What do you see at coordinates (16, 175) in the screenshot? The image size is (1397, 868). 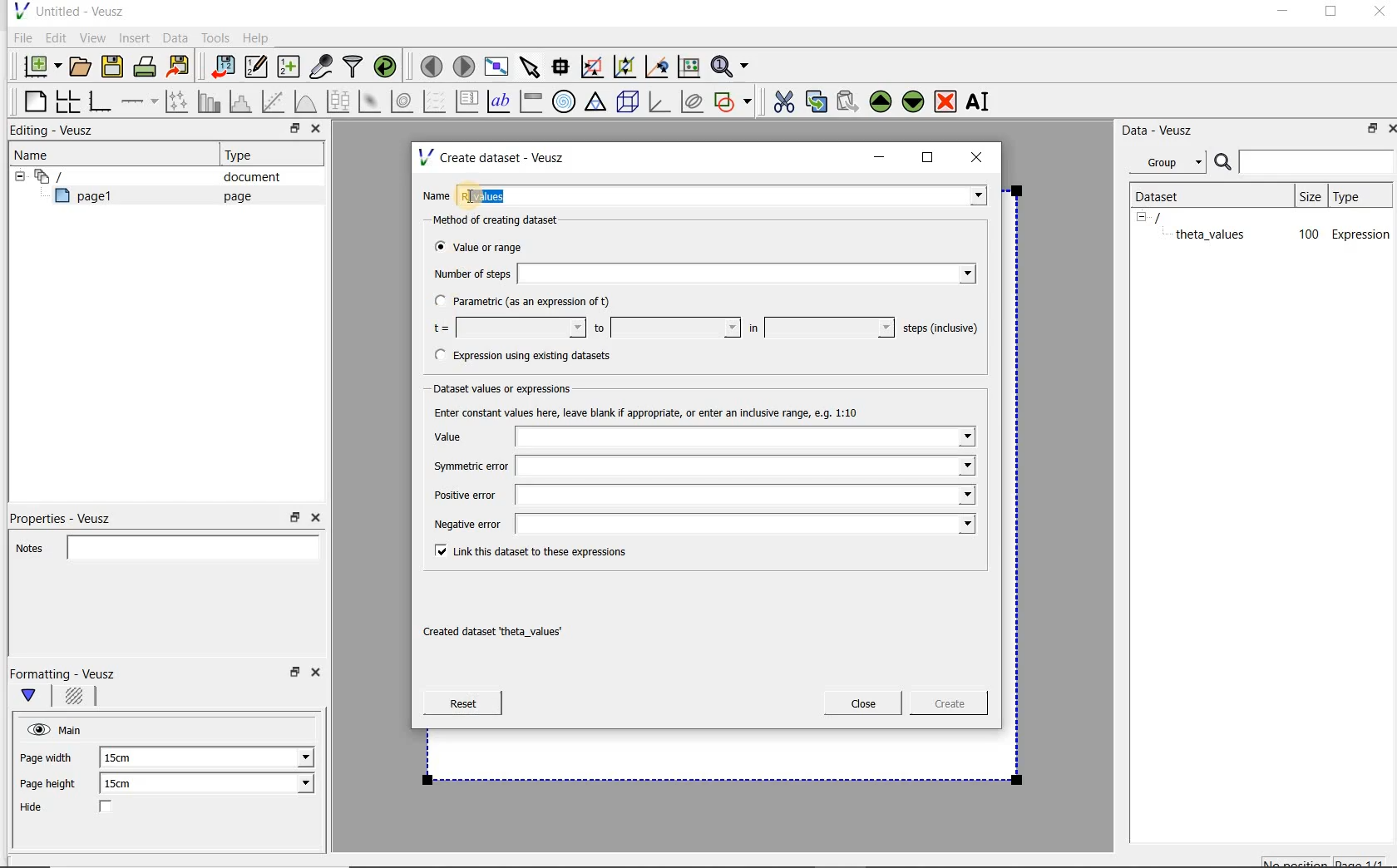 I see `hide sub menu` at bounding box center [16, 175].